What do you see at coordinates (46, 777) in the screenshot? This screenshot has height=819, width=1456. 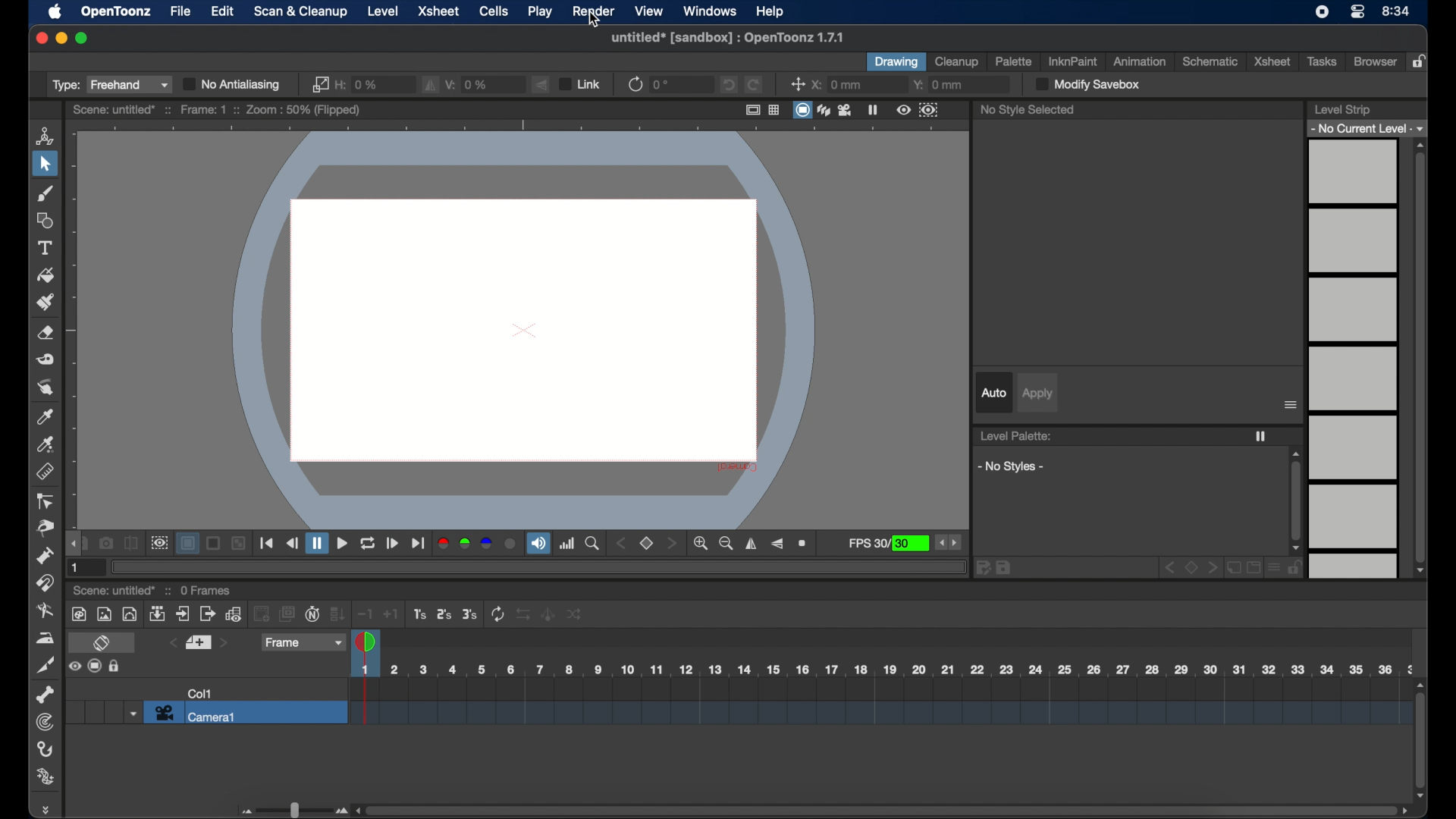 I see `plastic tool` at bounding box center [46, 777].